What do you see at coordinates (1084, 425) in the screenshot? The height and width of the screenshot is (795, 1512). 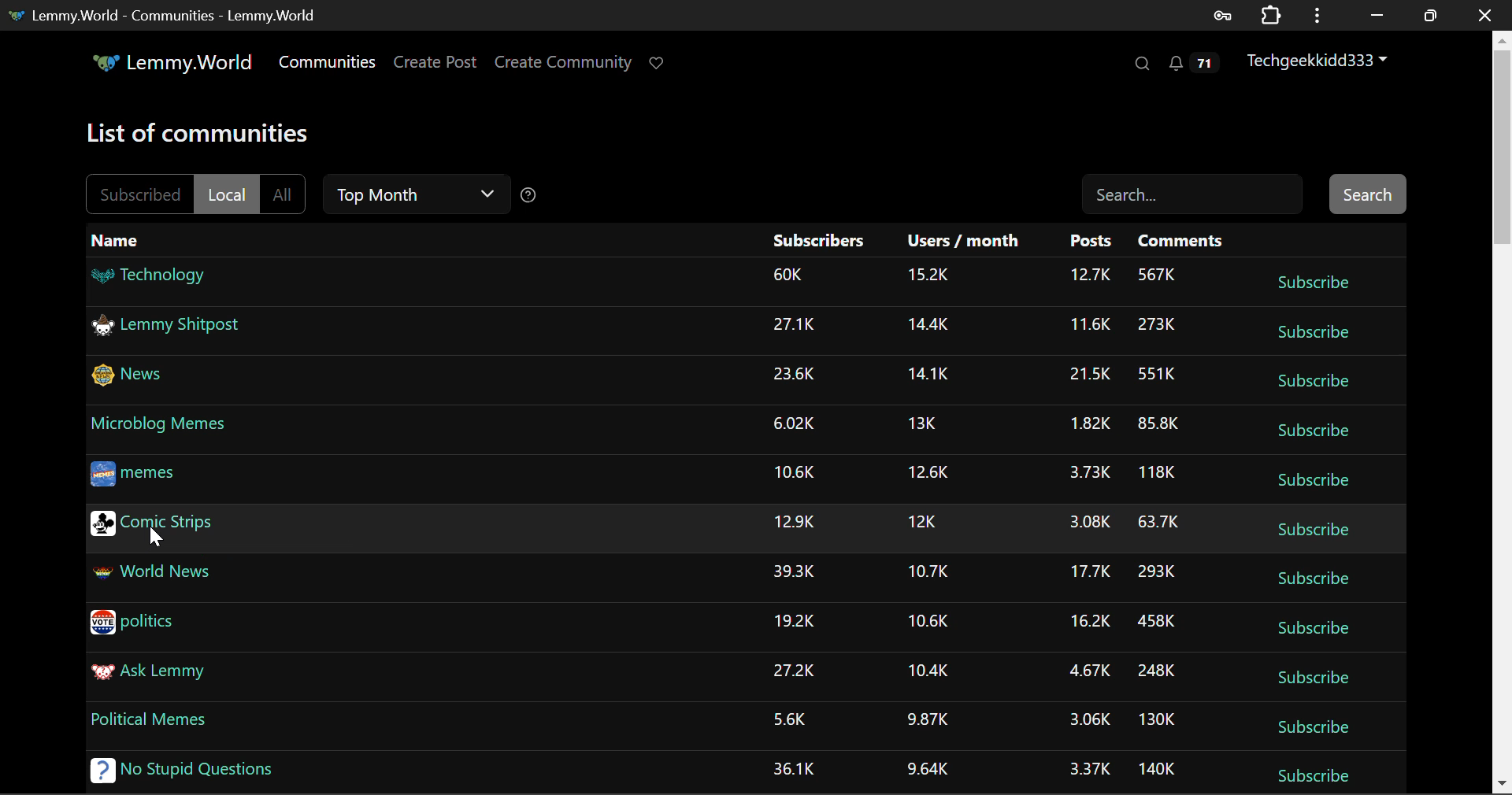 I see `1.82K` at bounding box center [1084, 425].